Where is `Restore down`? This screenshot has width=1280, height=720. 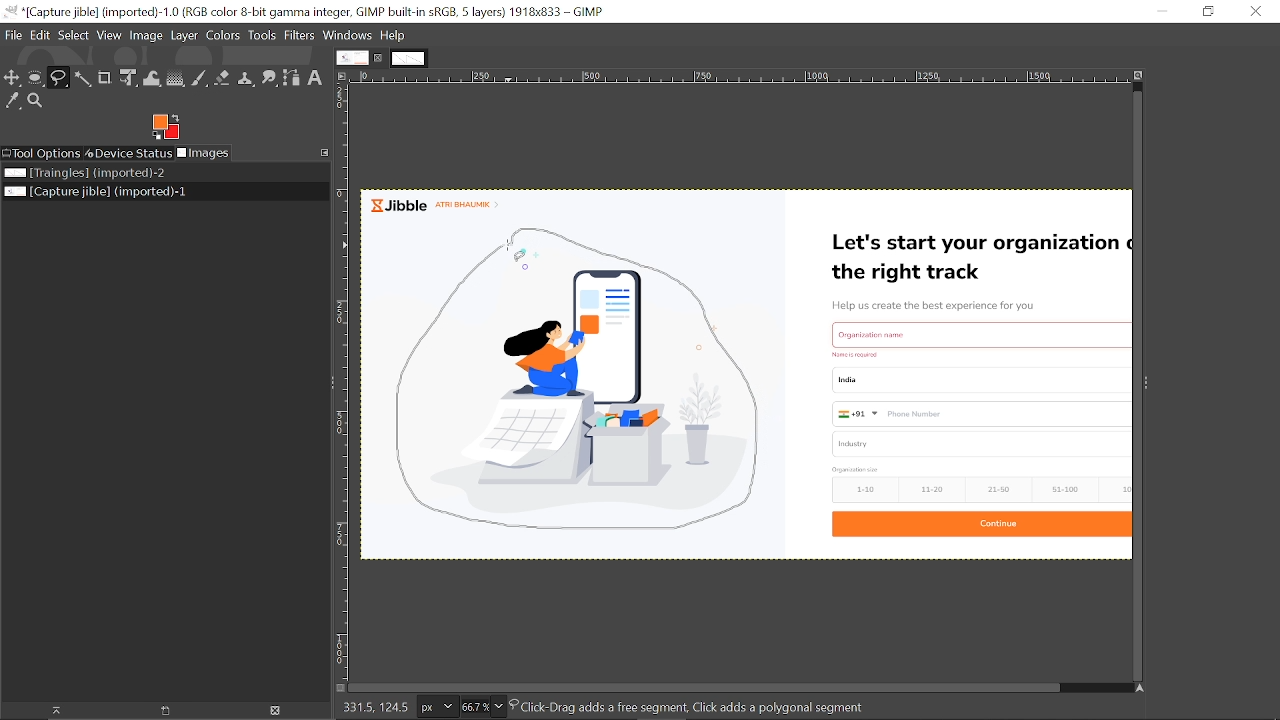
Restore down is located at coordinates (1207, 11).